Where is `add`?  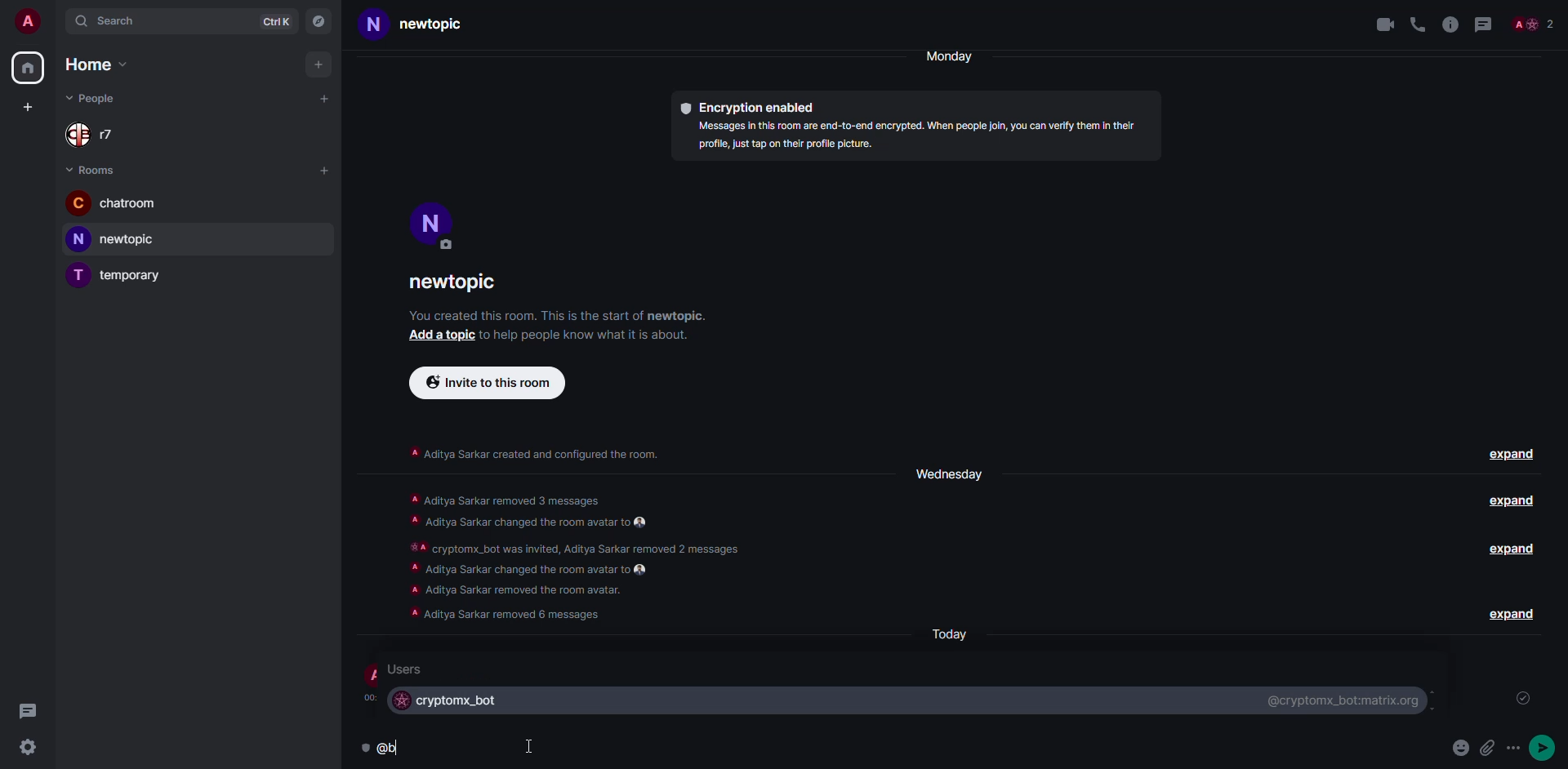
add is located at coordinates (324, 169).